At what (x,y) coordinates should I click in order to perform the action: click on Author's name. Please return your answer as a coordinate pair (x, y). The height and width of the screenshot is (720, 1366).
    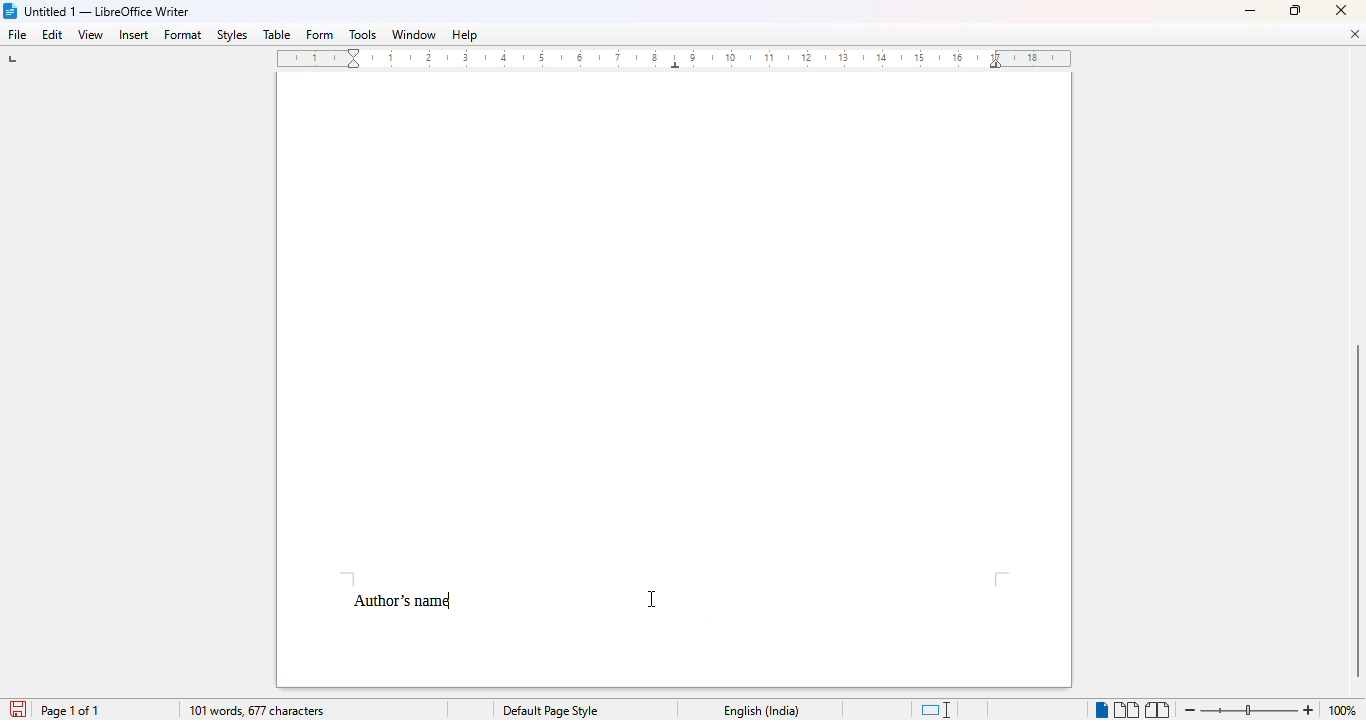
    Looking at the image, I should click on (403, 601).